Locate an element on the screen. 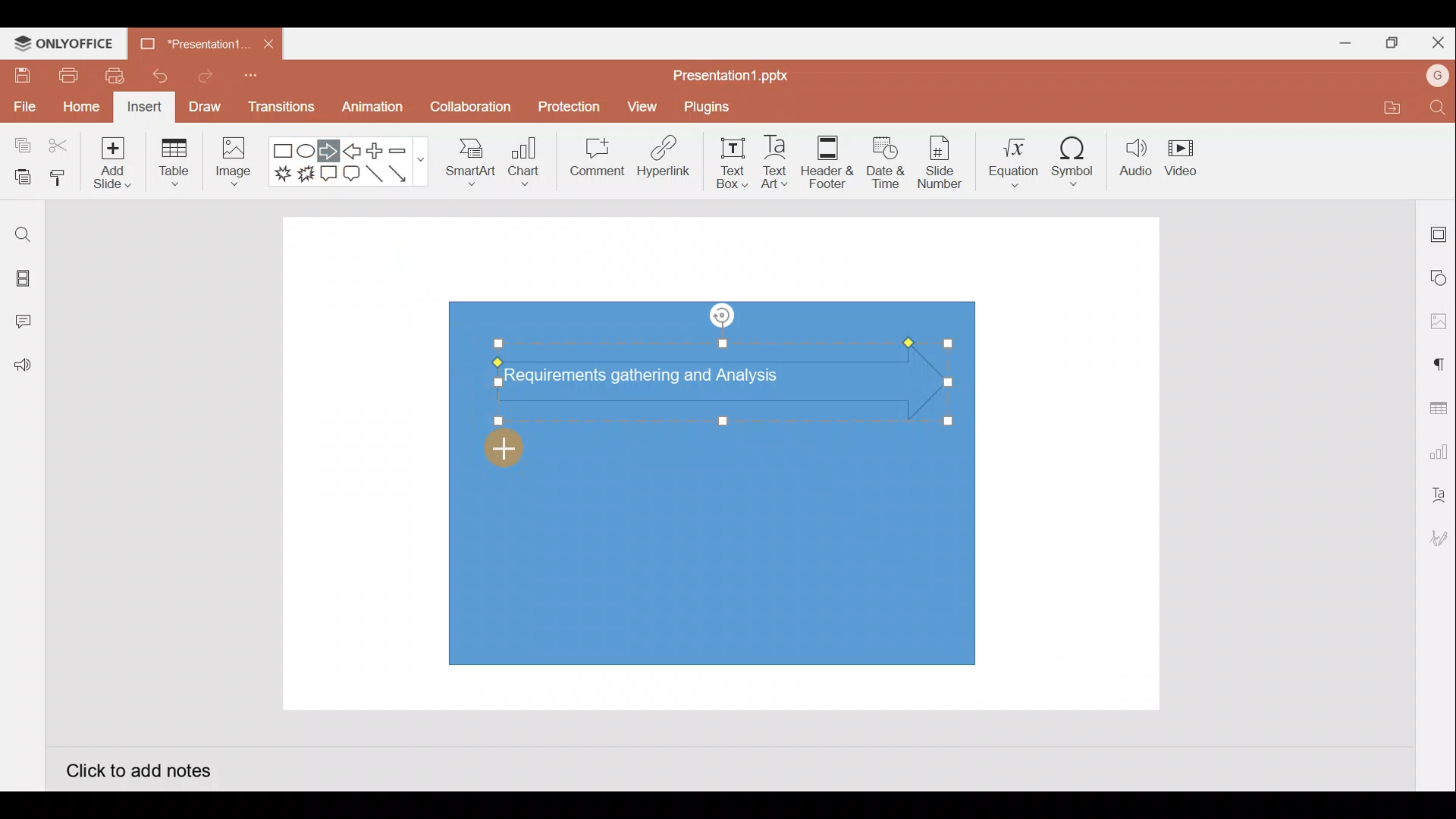  Comments is located at coordinates (27, 323).